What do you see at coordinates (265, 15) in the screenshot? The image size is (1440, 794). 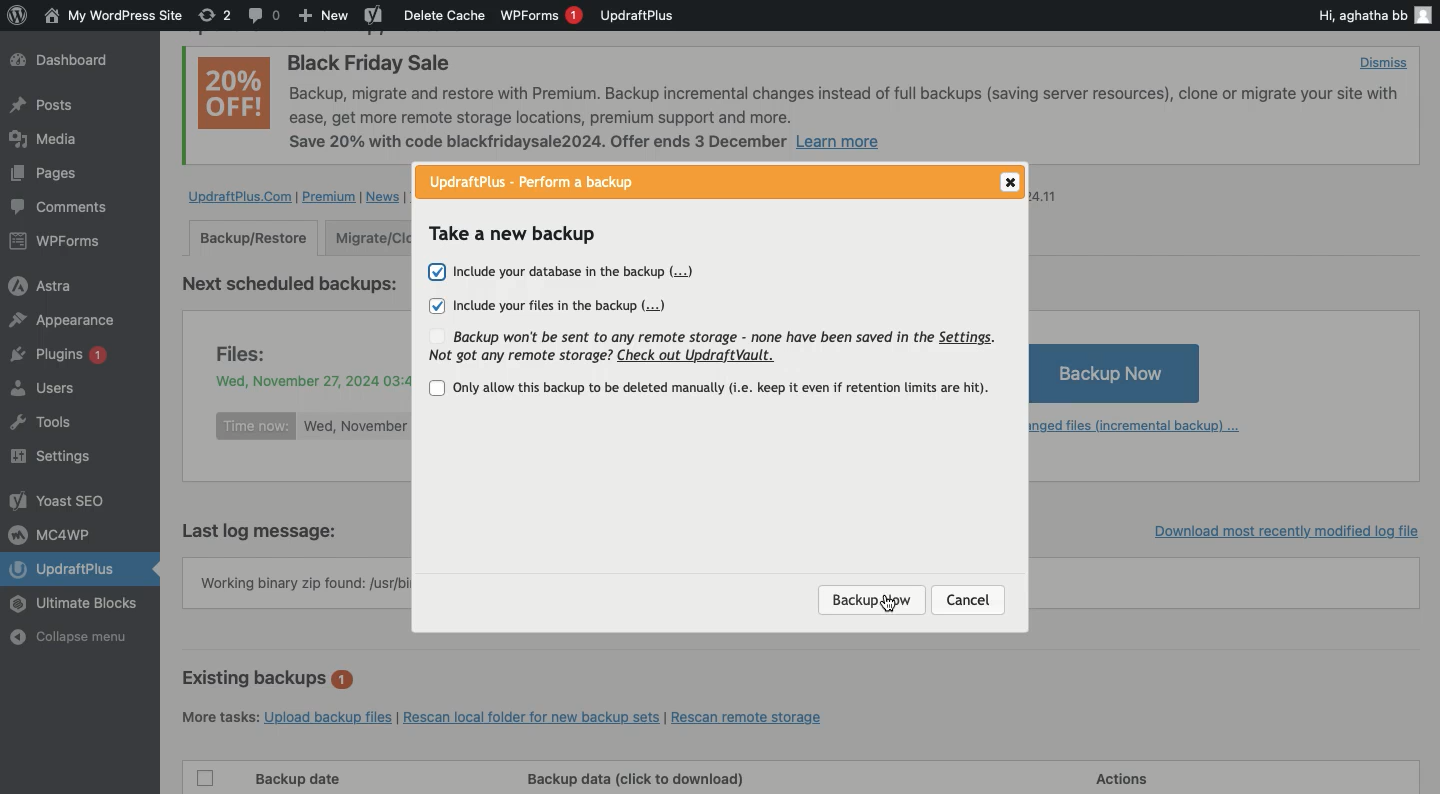 I see `Comment 0` at bounding box center [265, 15].